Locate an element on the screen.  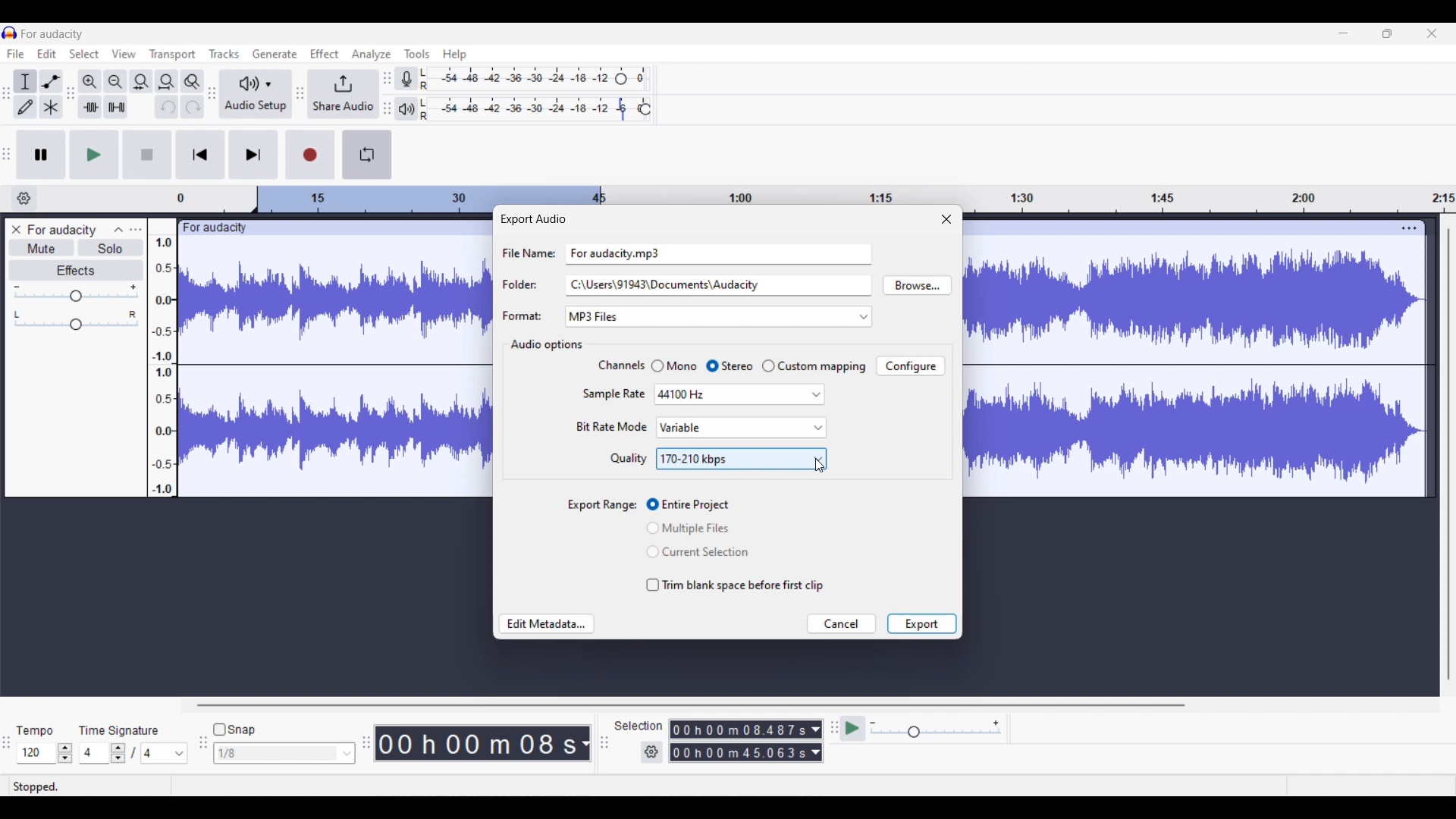
Project name - For audacity is located at coordinates (53, 34).